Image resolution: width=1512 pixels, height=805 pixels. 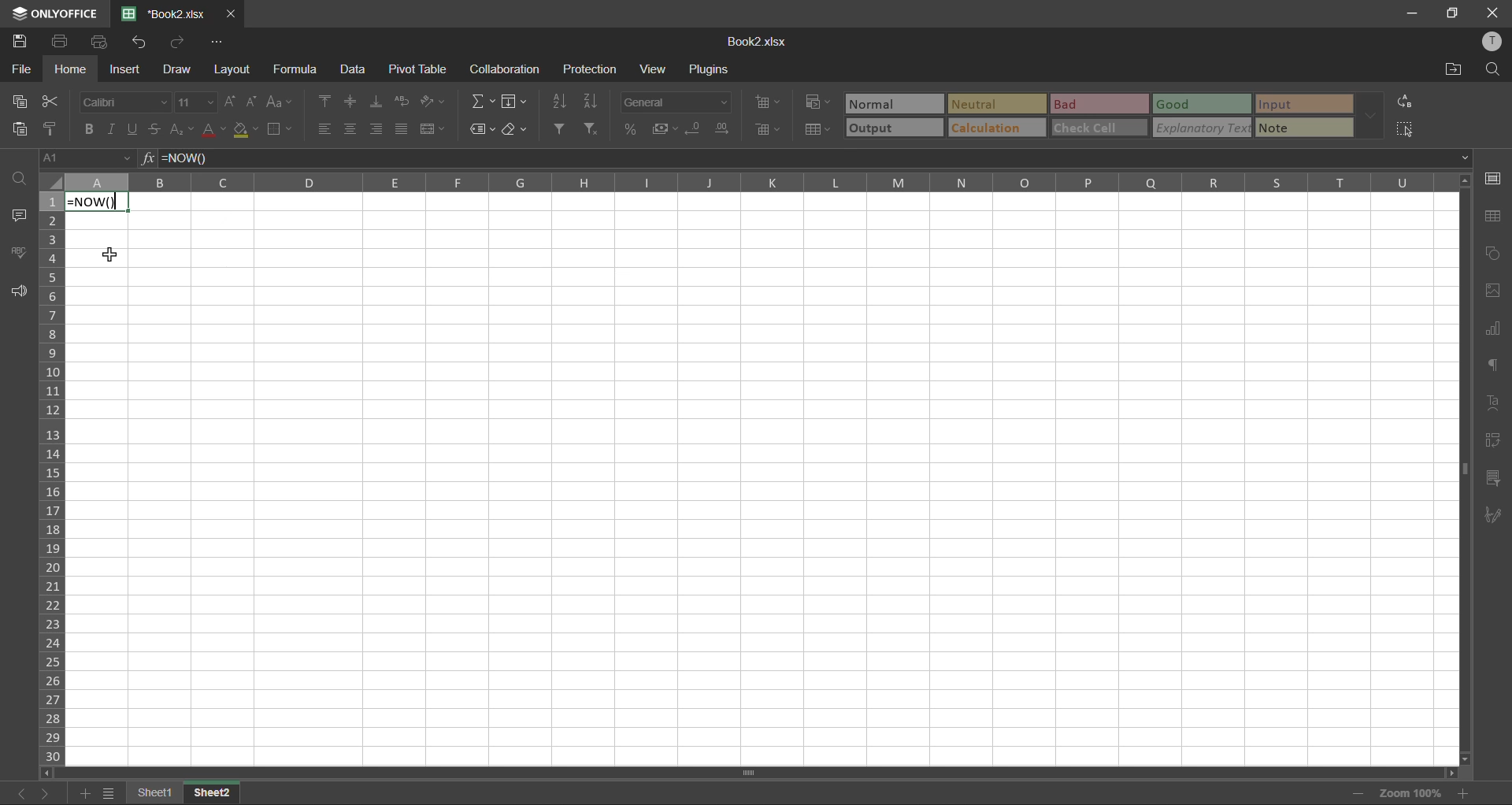 What do you see at coordinates (21, 101) in the screenshot?
I see `copy` at bounding box center [21, 101].